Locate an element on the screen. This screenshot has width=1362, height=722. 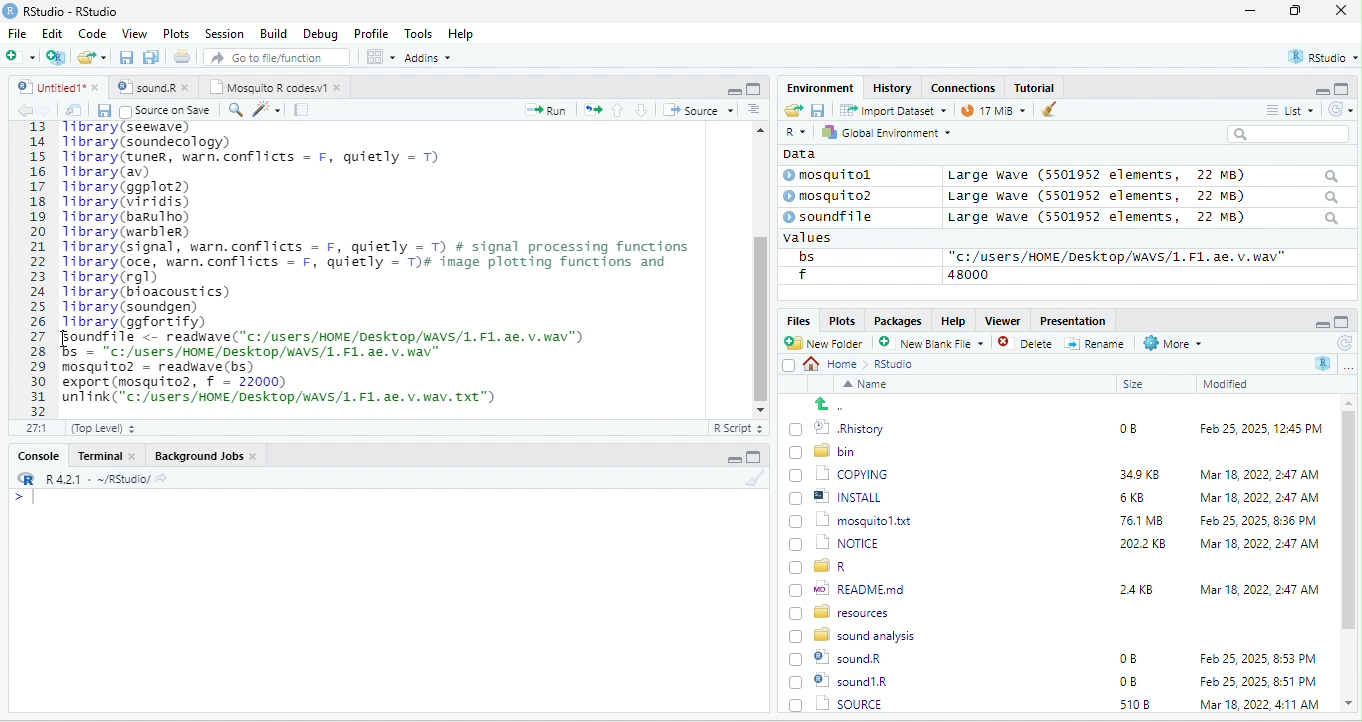
R is located at coordinates (794, 133).